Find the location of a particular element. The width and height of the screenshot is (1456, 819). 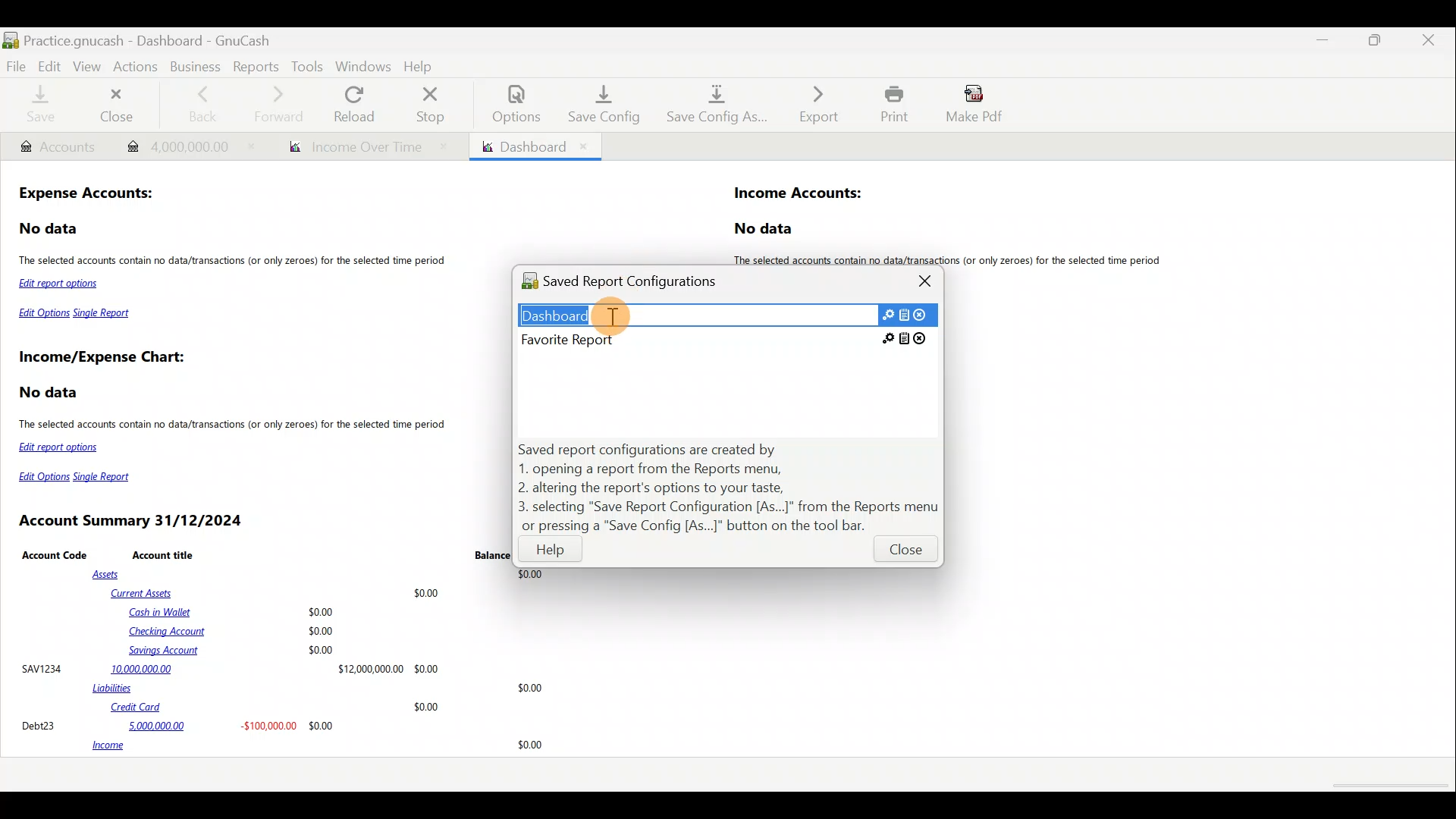

Edit Options Single Report is located at coordinates (80, 477).